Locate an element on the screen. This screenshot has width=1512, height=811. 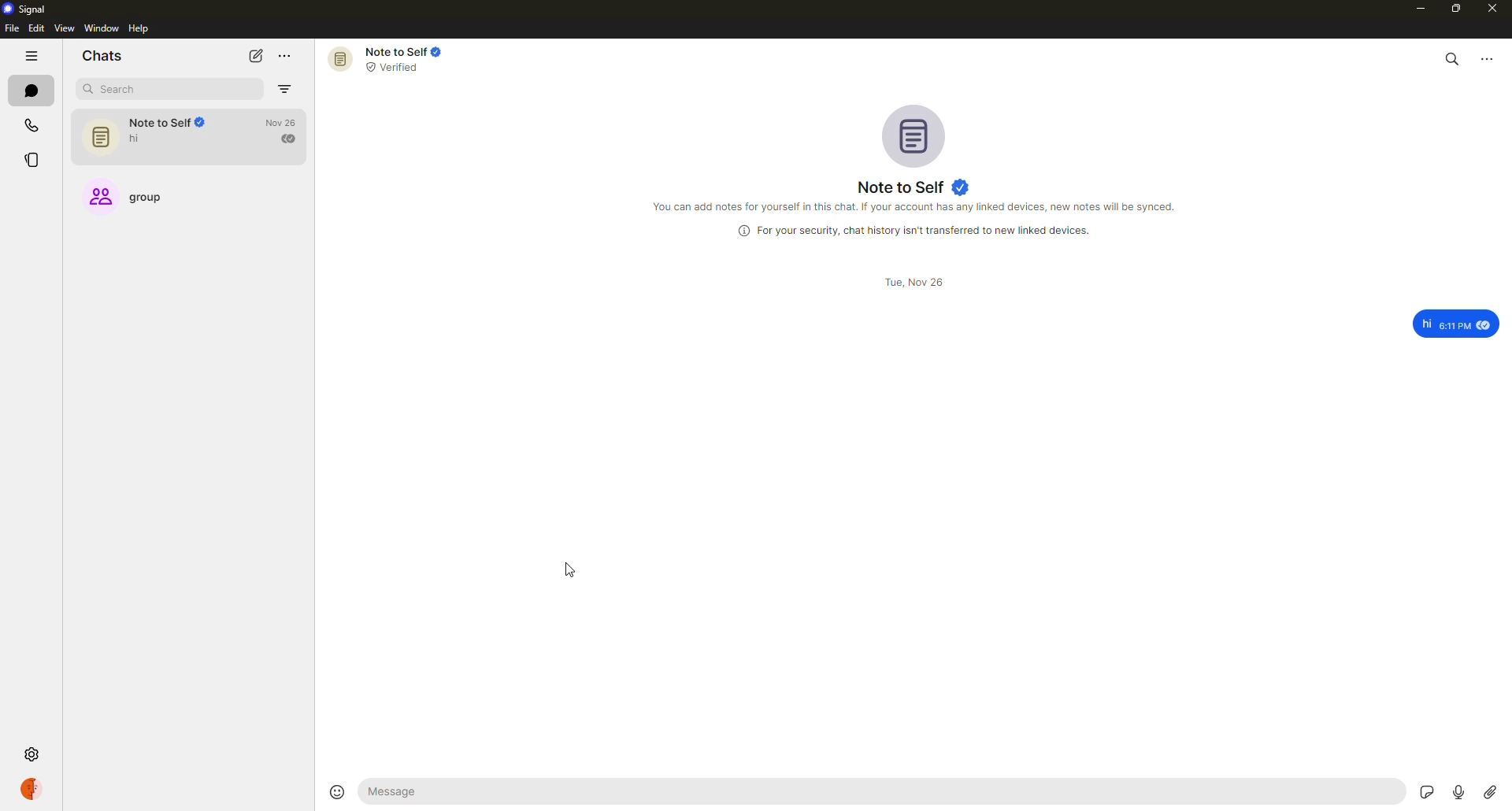
note to self is located at coordinates (386, 59).